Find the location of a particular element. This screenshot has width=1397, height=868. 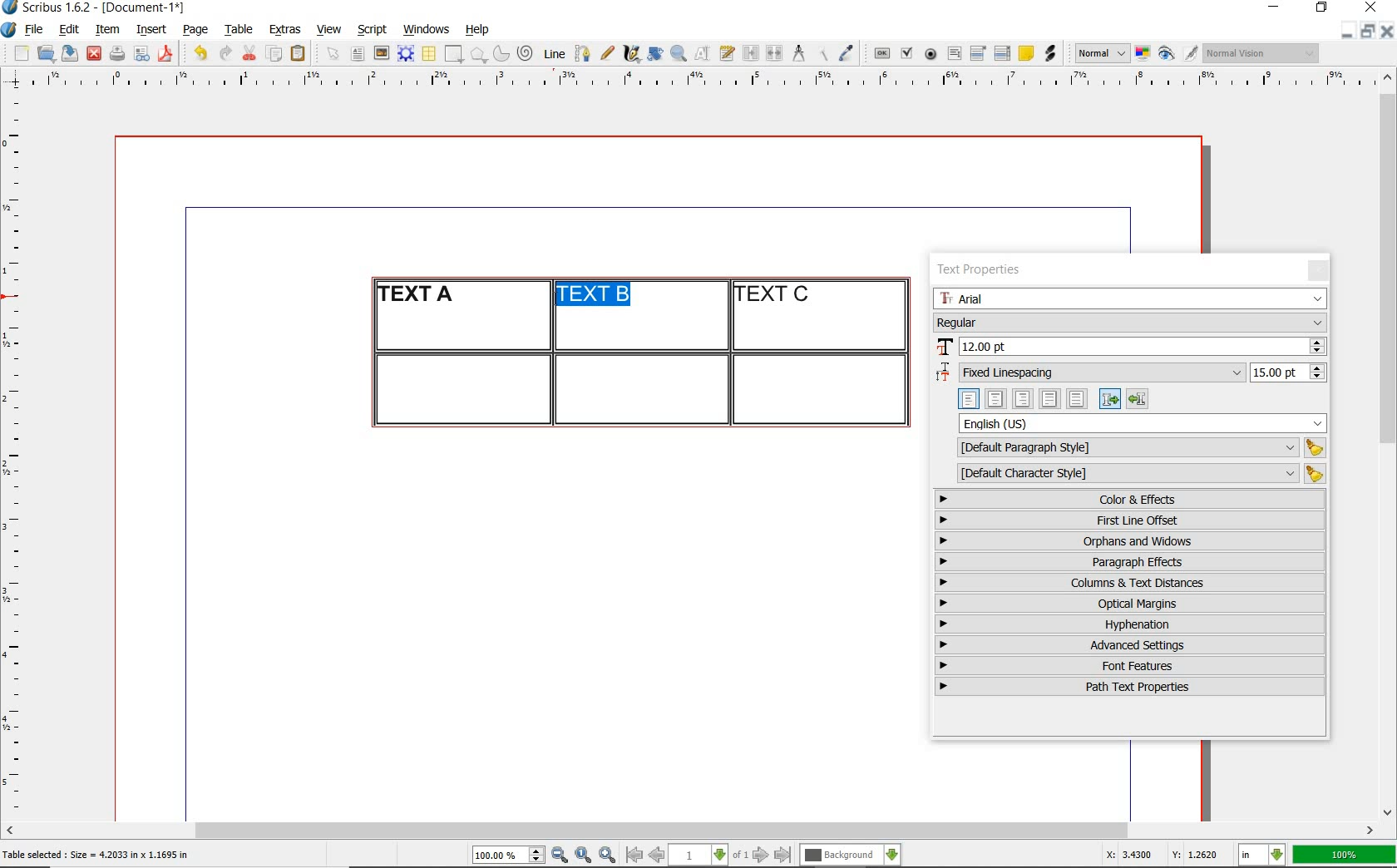

link text frames is located at coordinates (752, 55).